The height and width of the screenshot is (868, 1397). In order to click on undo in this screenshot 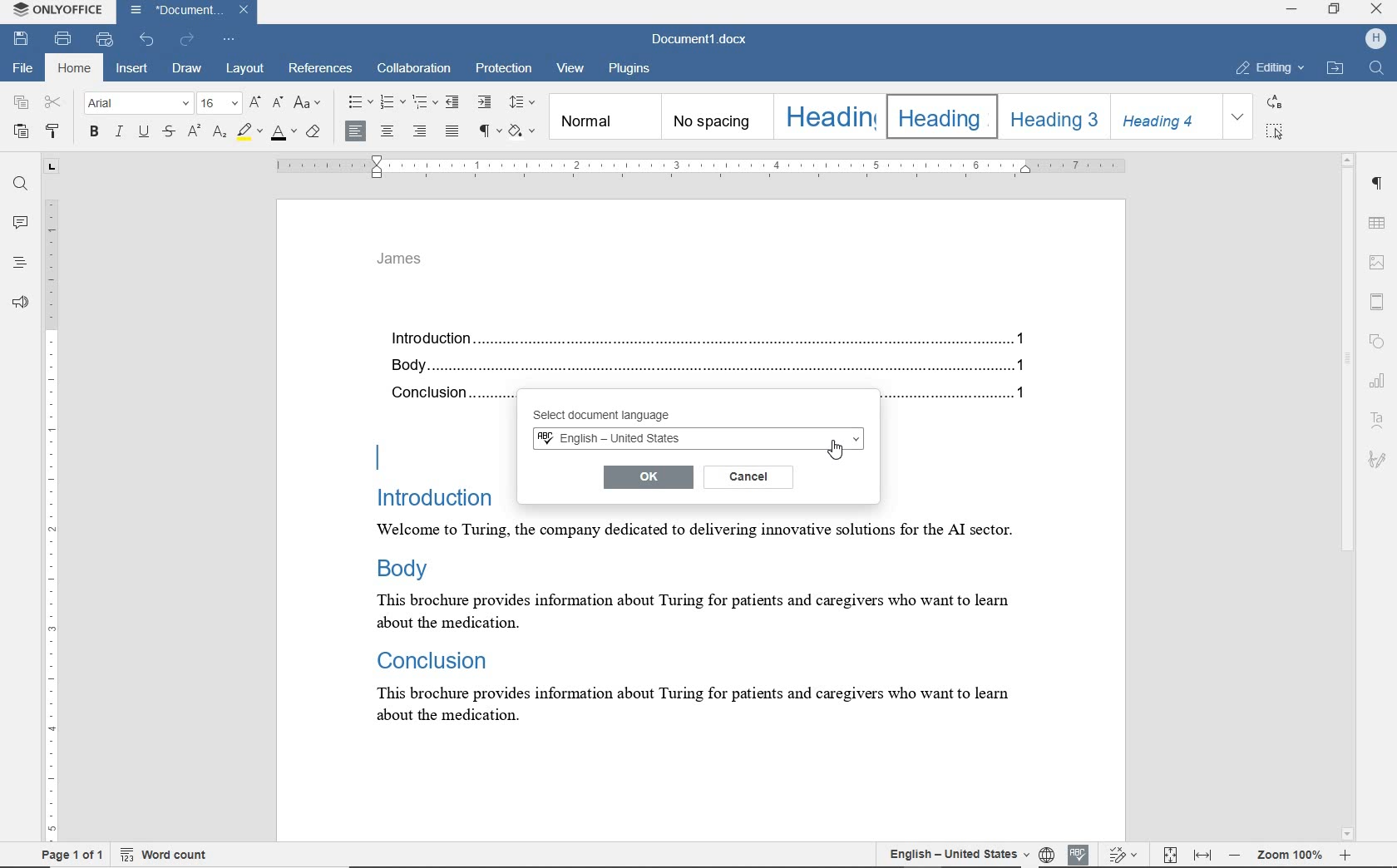, I will do `click(148, 38)`.